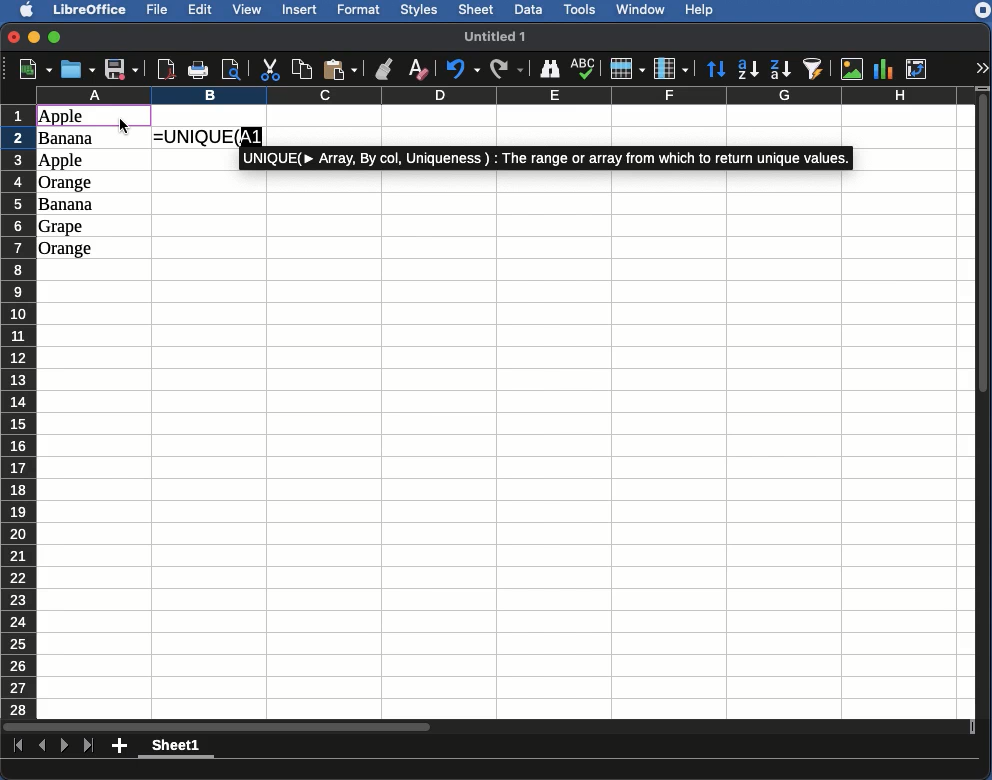  Describe the element at coordinates (884, 69) in the screenshot. I see `Chart` at that location.